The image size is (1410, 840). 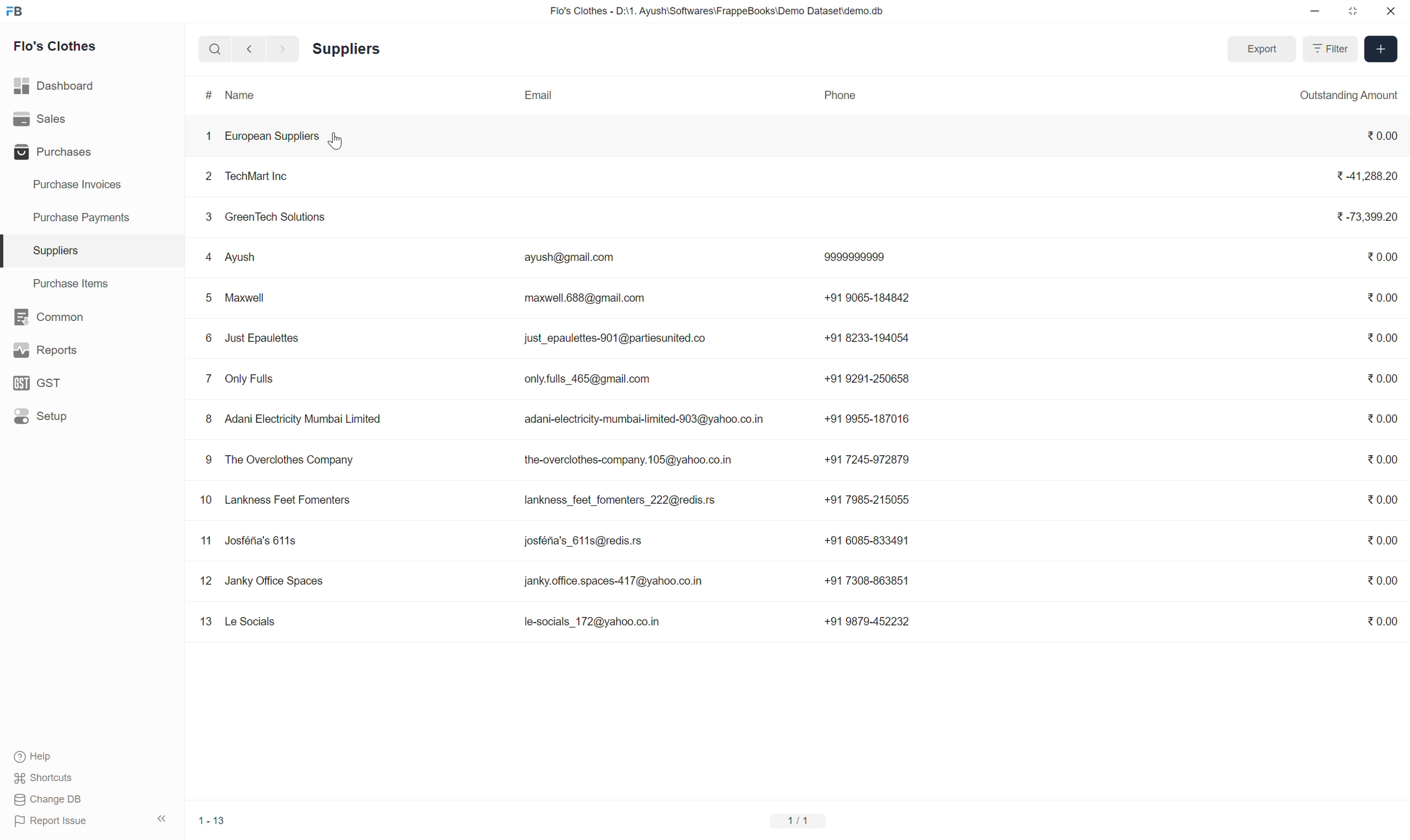 I want to click on minimise, so click(x=1312, y=11).